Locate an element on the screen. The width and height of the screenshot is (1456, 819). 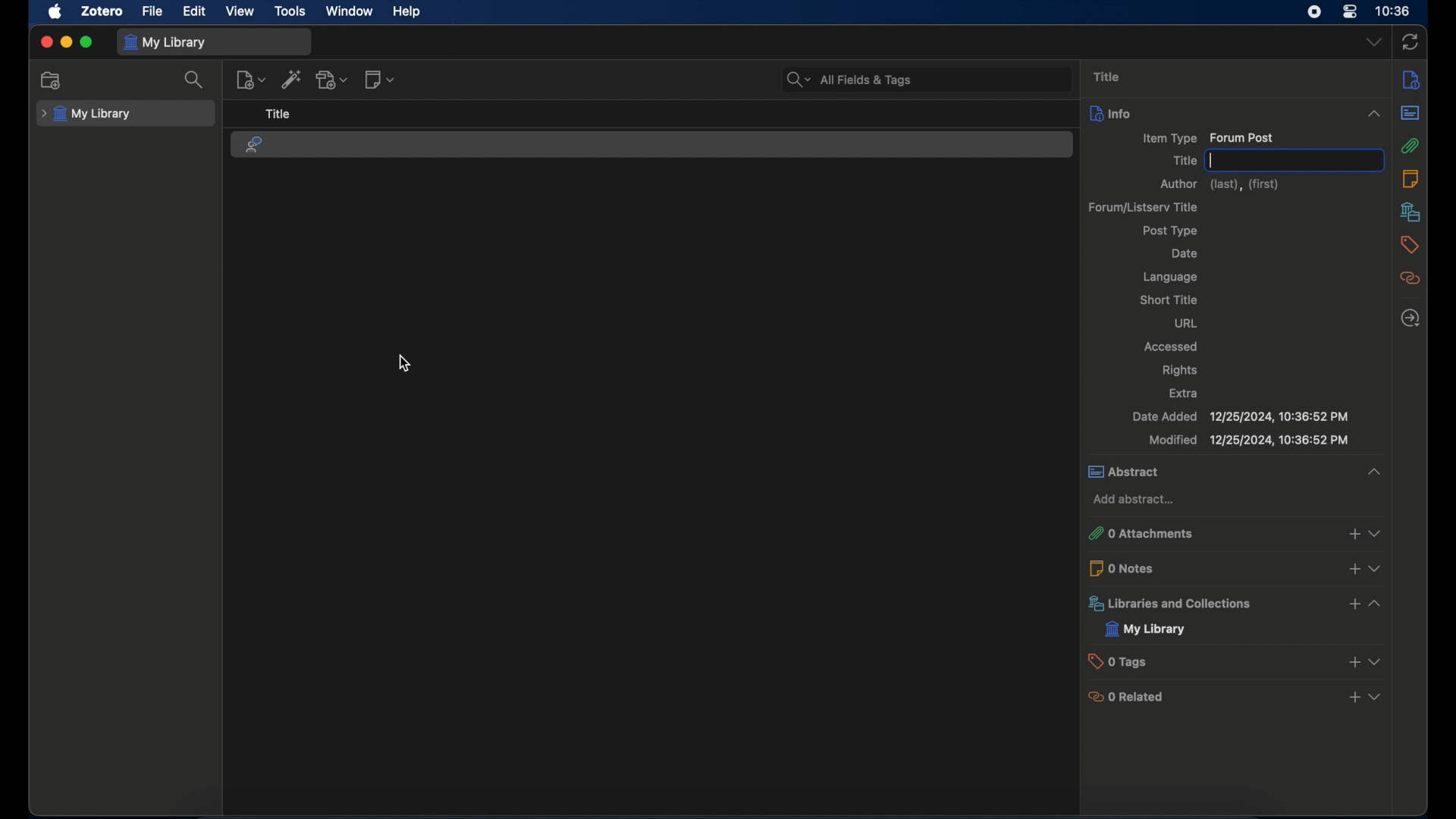
my library is located at coordinates (167, 43).